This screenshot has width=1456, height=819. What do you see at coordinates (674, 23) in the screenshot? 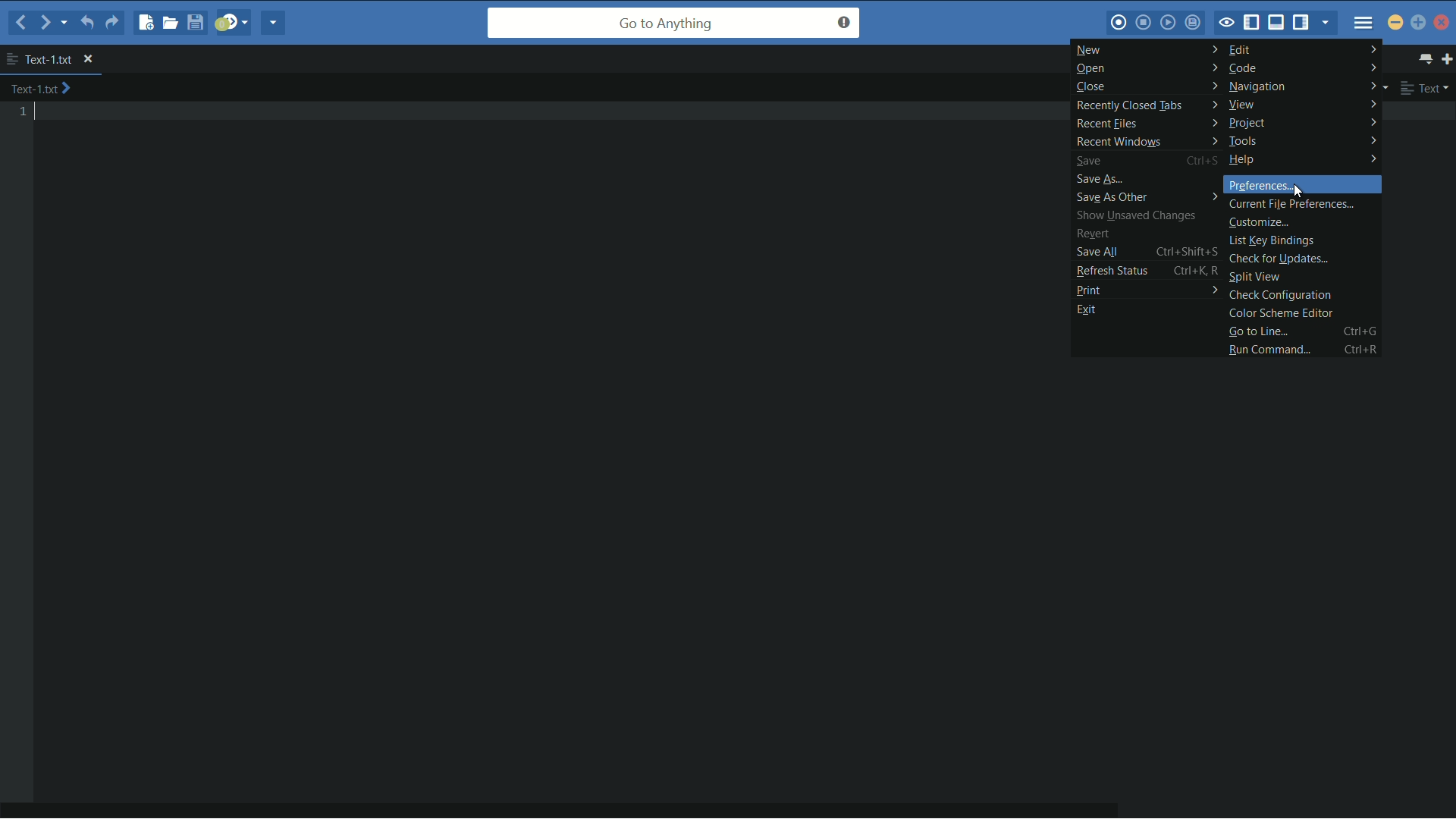
I see `go to anything ` at bounding box center [674, 23].